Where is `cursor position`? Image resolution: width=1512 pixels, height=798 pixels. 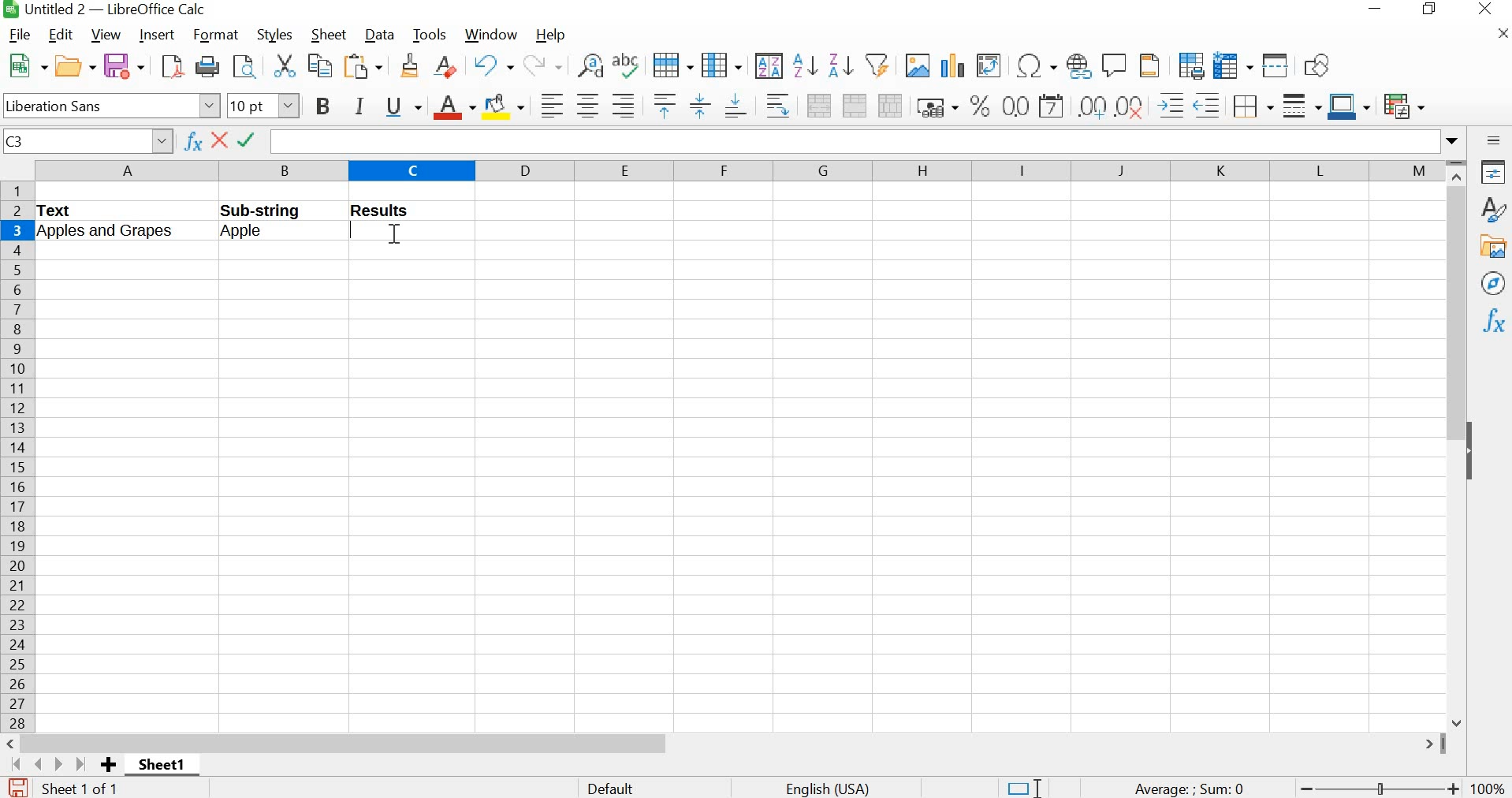 cursor position is located at coordinates (393, 237).